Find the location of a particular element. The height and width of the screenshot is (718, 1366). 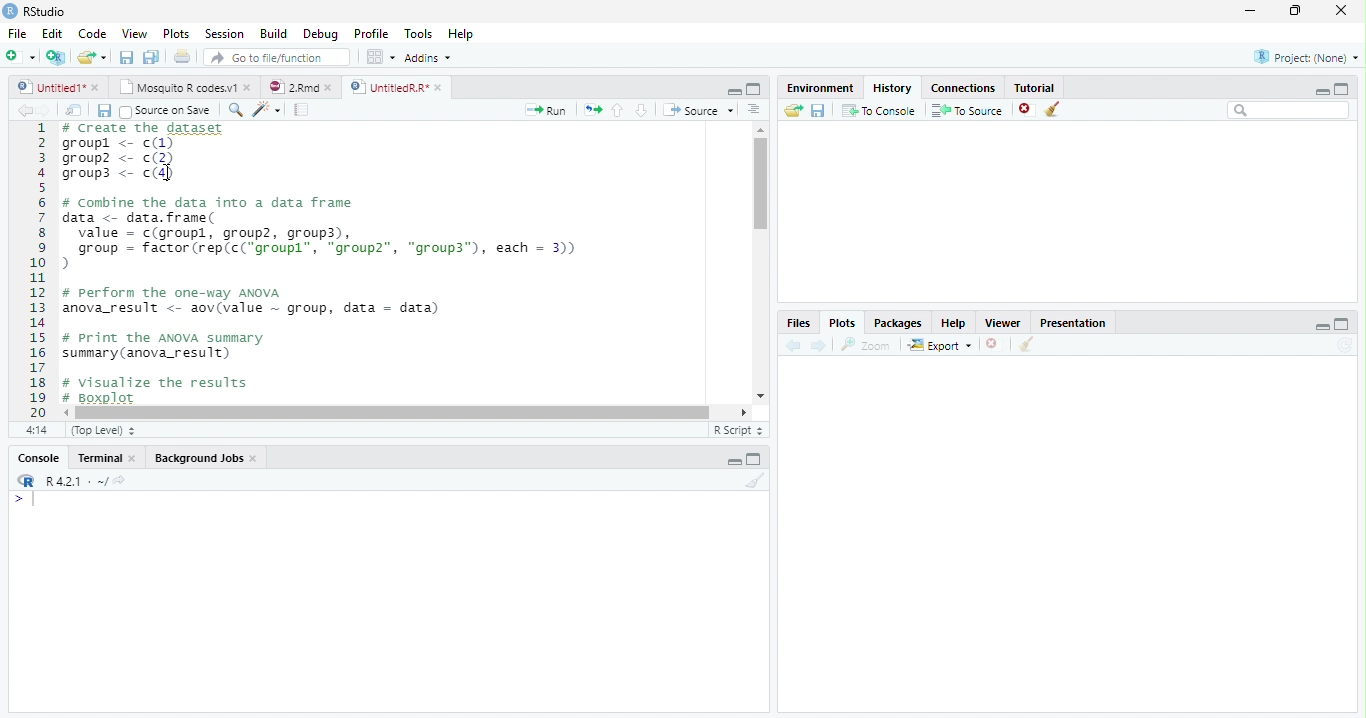

Presentation is located at coordinates (1081, 321).